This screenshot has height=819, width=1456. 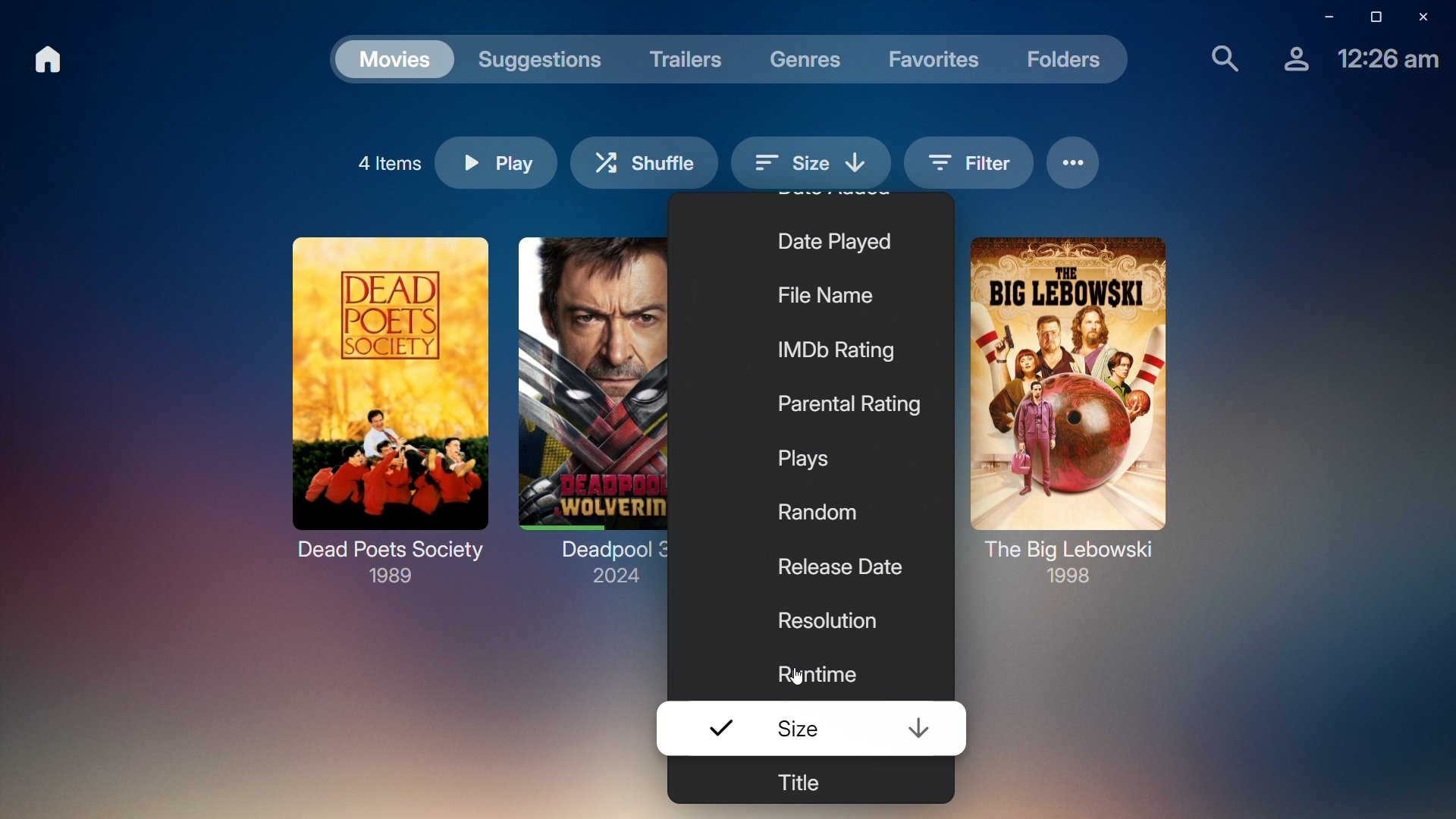 I want to click on IMDb Rating, so click(x=826, y=353).